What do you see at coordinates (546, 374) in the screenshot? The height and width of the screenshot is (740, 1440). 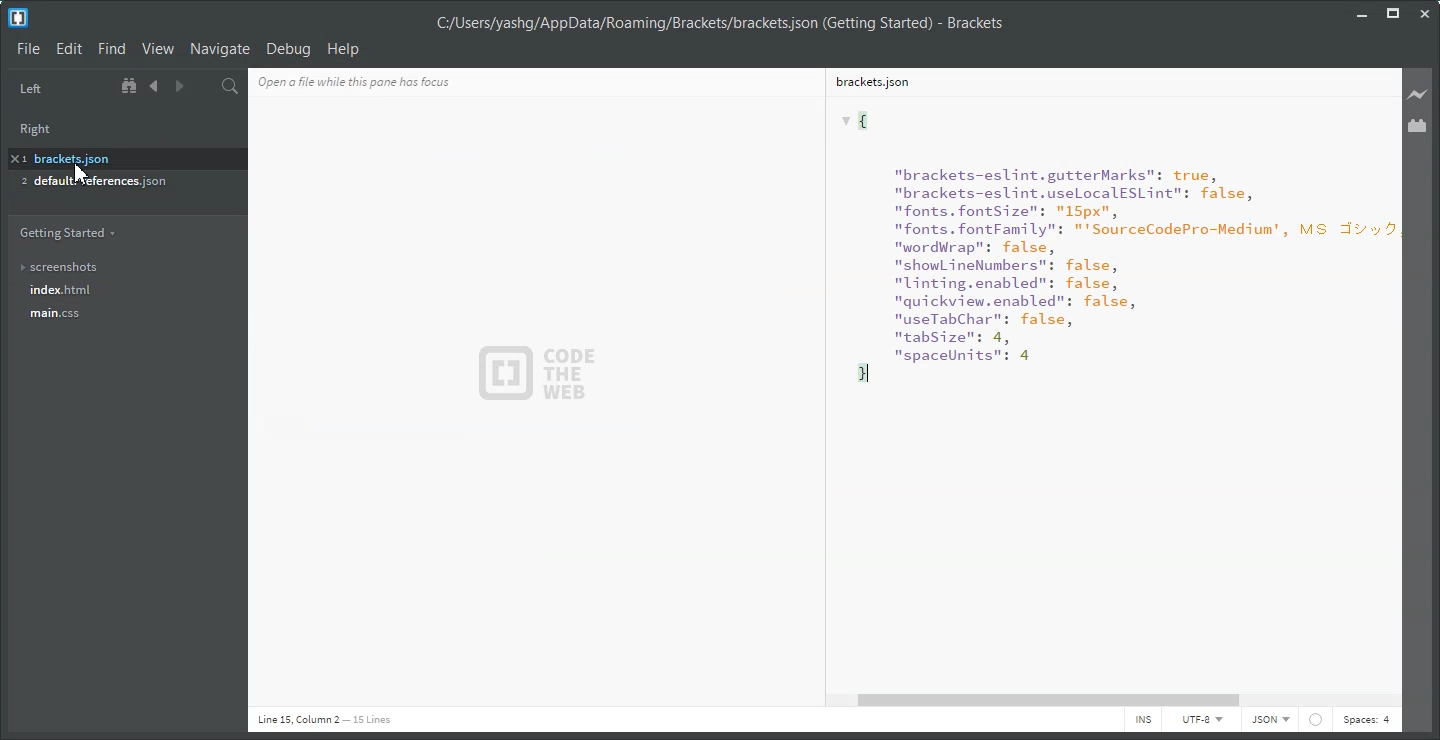 I see `image` at bounding box center [546, 374].